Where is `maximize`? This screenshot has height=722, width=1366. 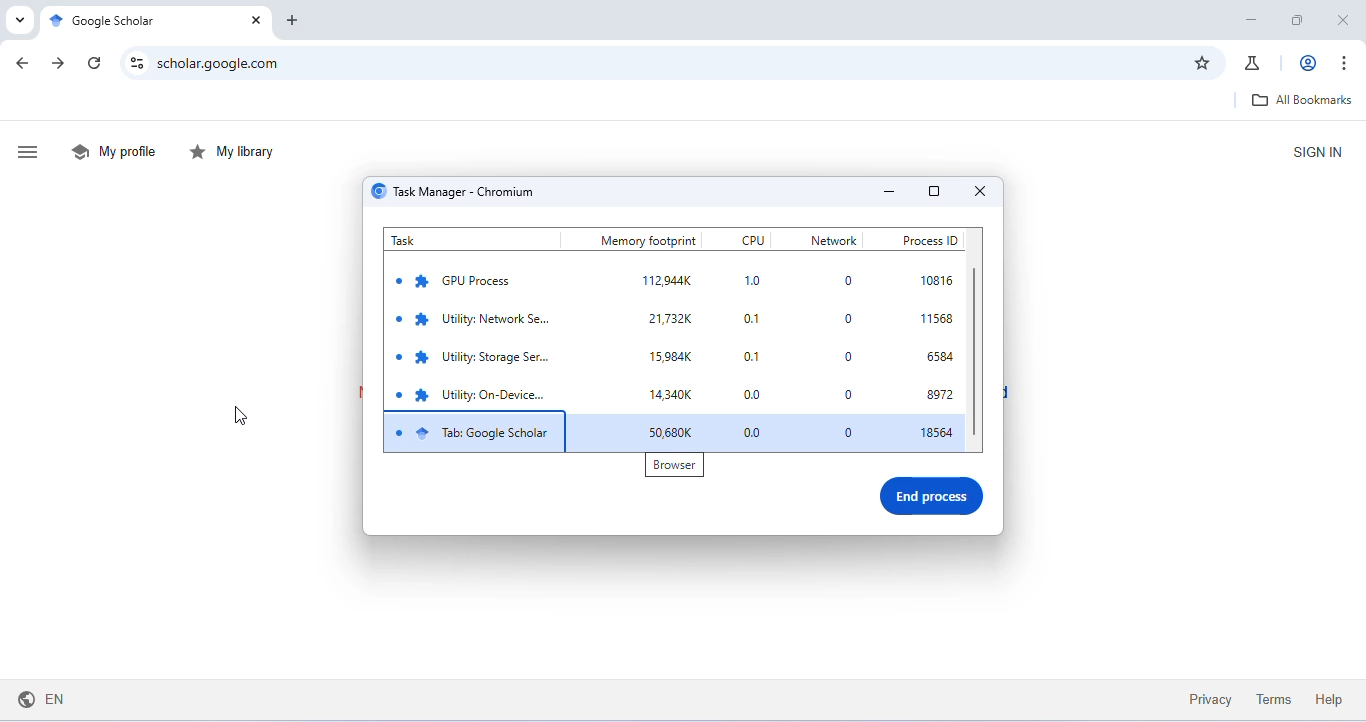
maximize is located at coordinates (1298, 21).